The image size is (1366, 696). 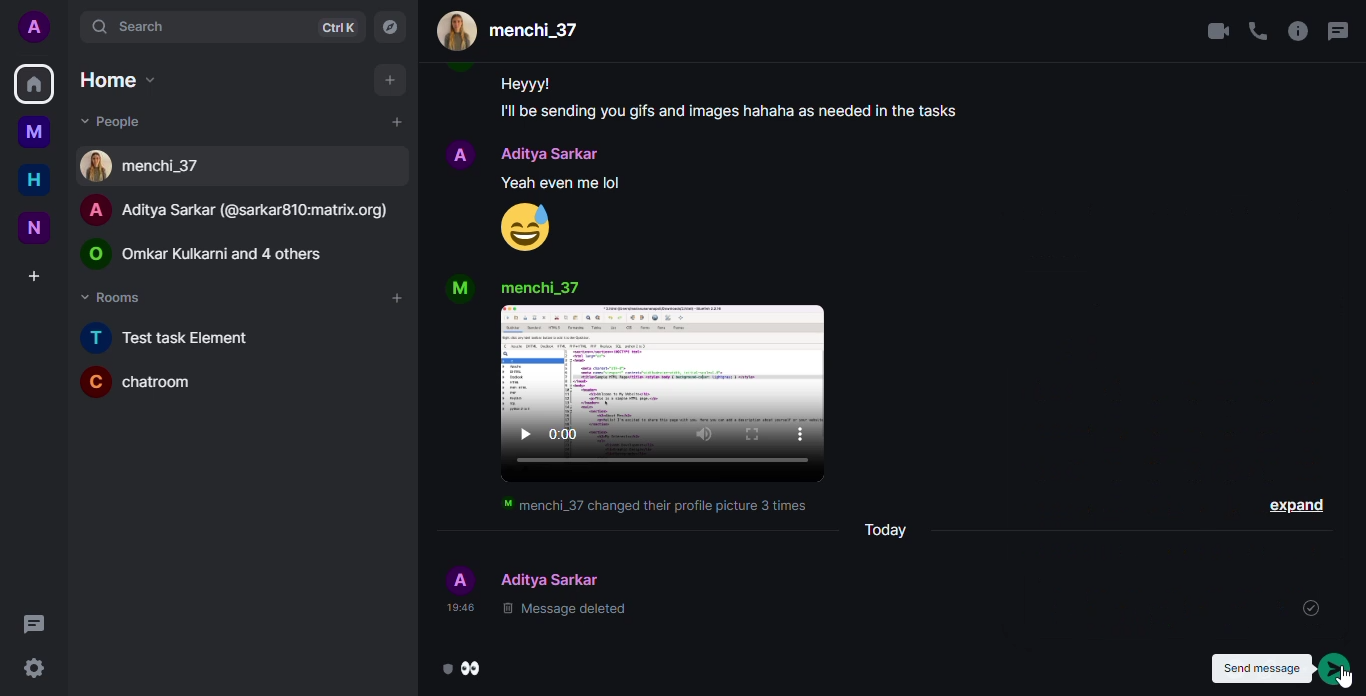 What do you see at coordinates (393, 121) in the screenshot?
I see `add` at bounding box center [393, 121].